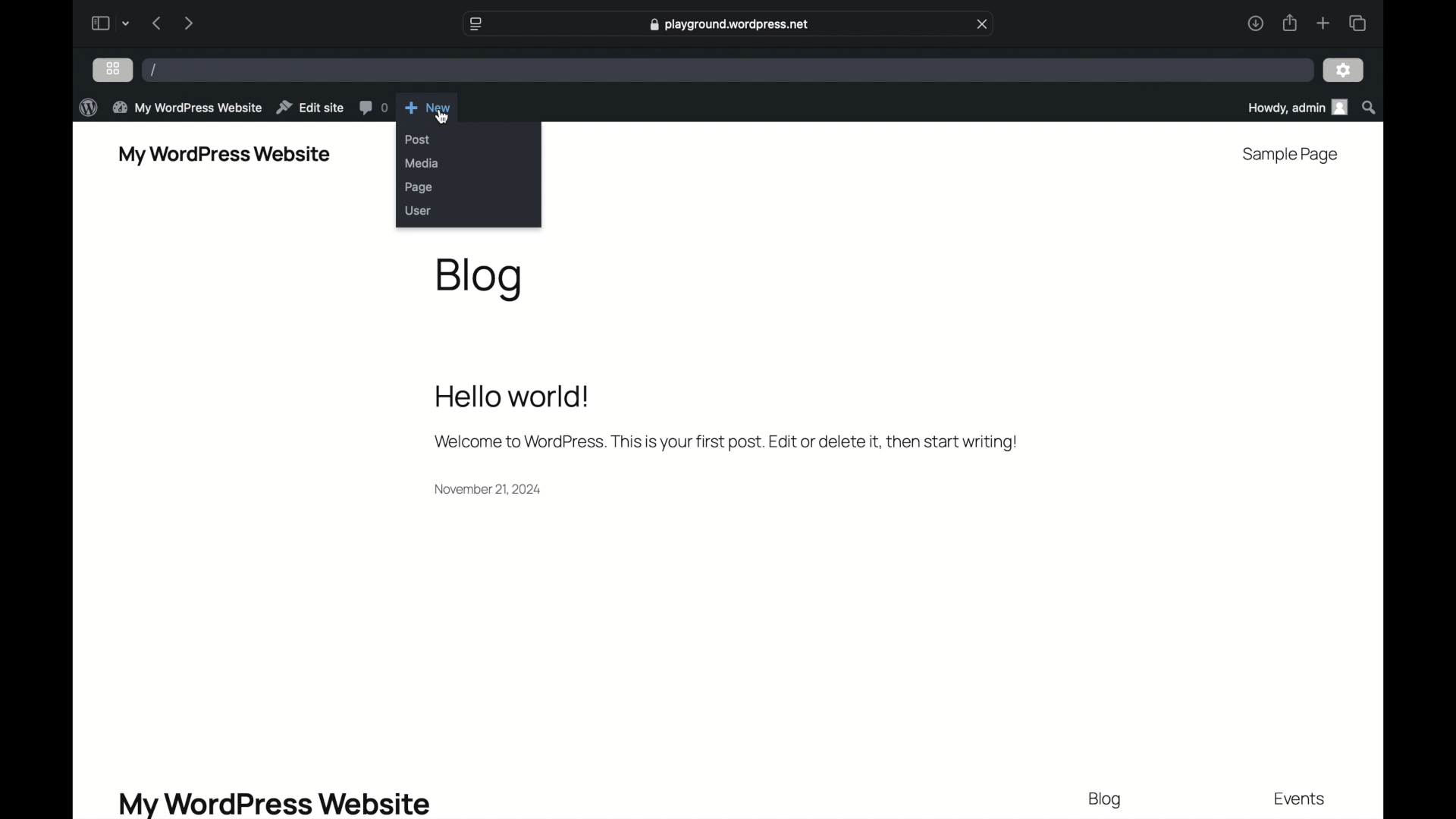  I want to click on welcome message, so click(724, 442).